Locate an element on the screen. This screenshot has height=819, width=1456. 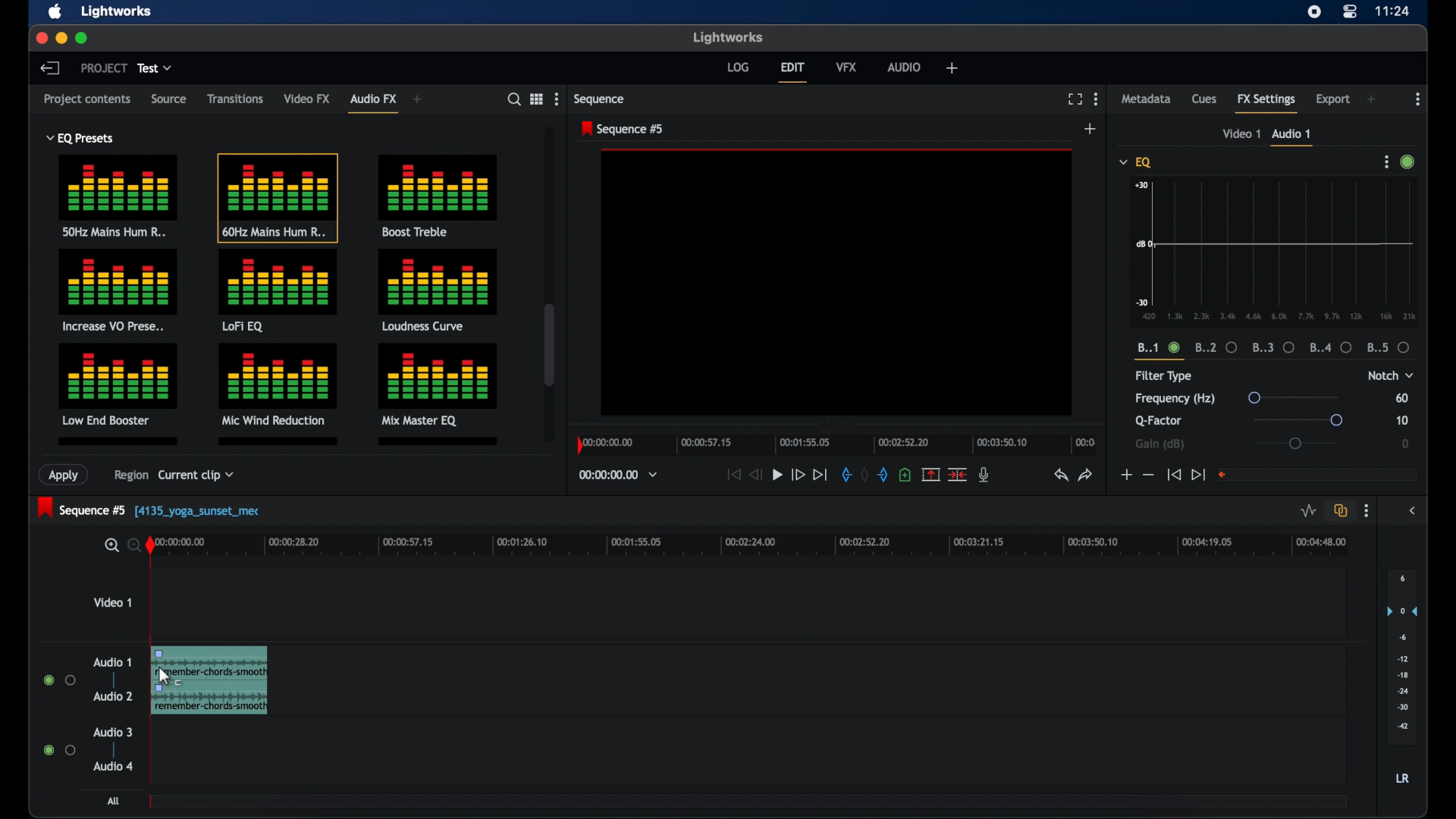
audio 2 is located at coordinates (113, 695).